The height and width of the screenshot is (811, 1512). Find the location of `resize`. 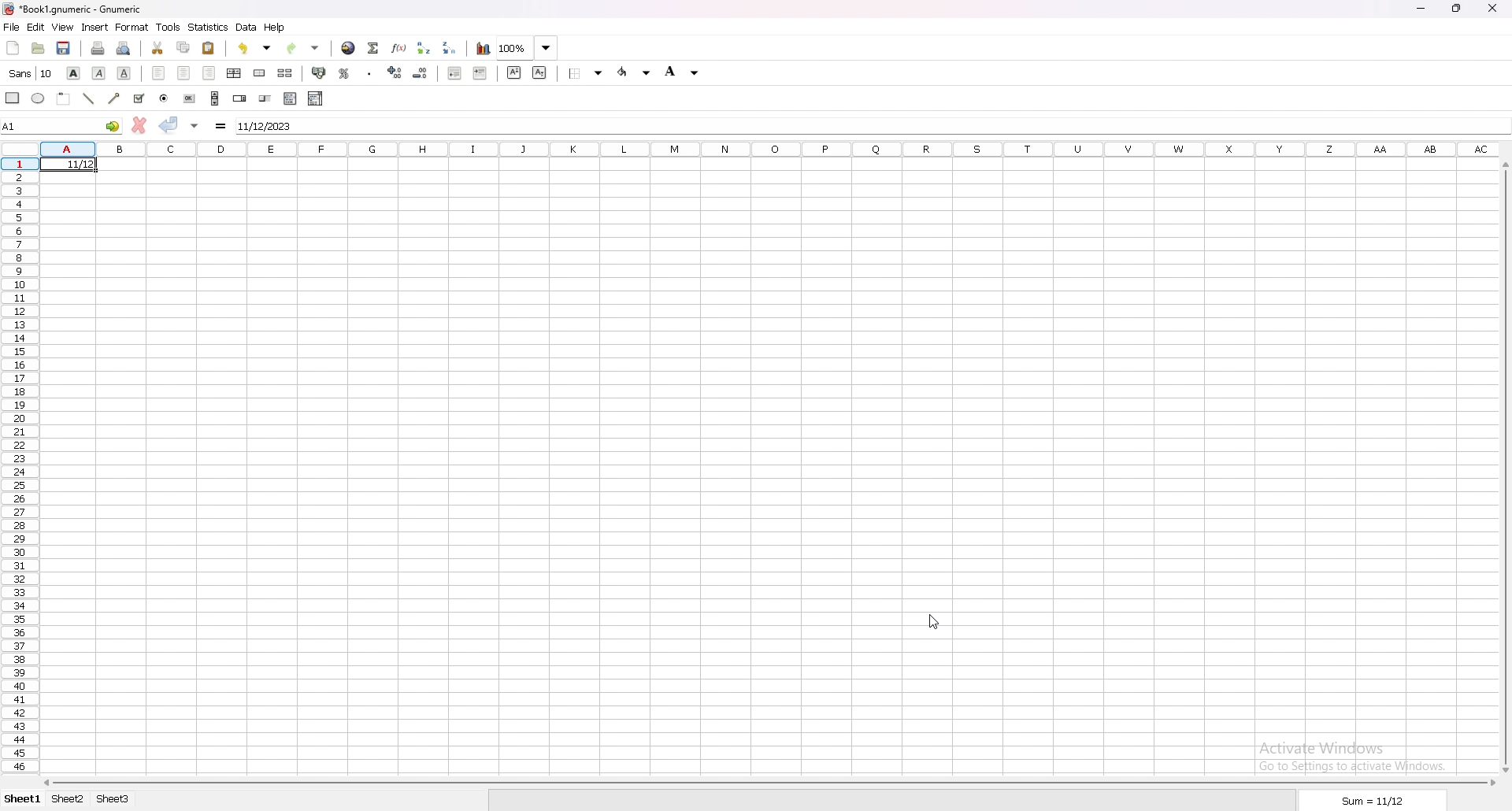

resize is located at coordinates (1458, 8).